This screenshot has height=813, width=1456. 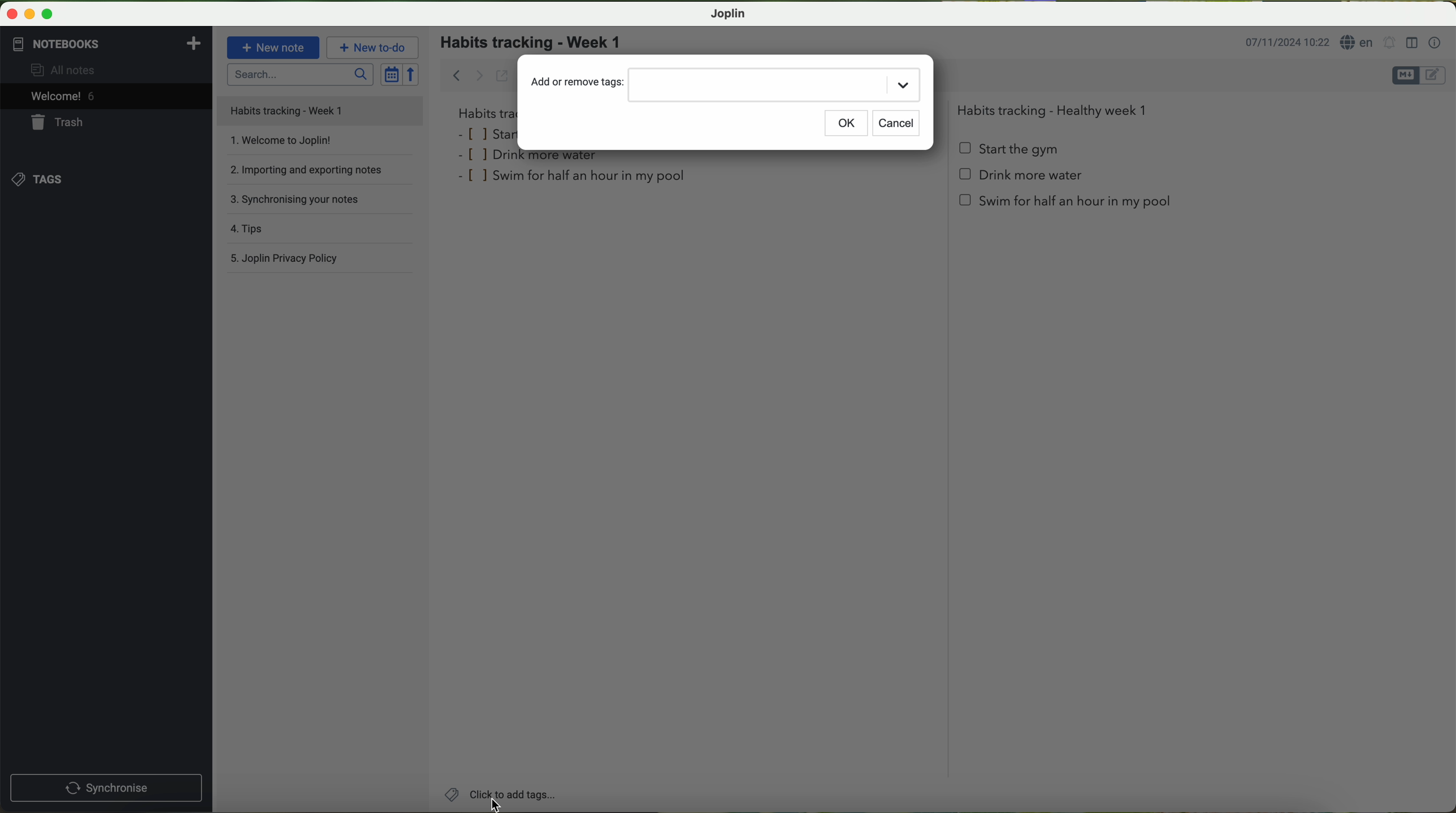 What do you see at coordinates (1021, 179) in the screenshot?
I see `Drink more water` at bounding box center [1021, 179].